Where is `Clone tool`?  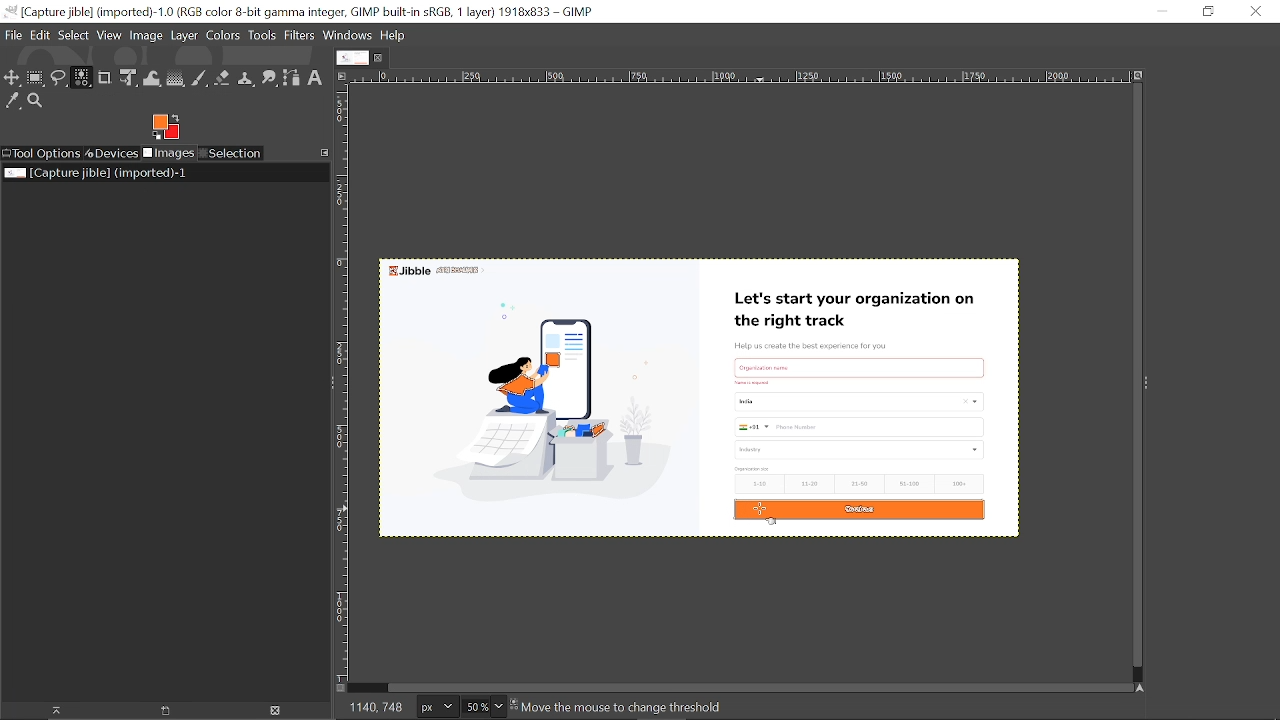 Clone tool is located at coordinates (245, 78).